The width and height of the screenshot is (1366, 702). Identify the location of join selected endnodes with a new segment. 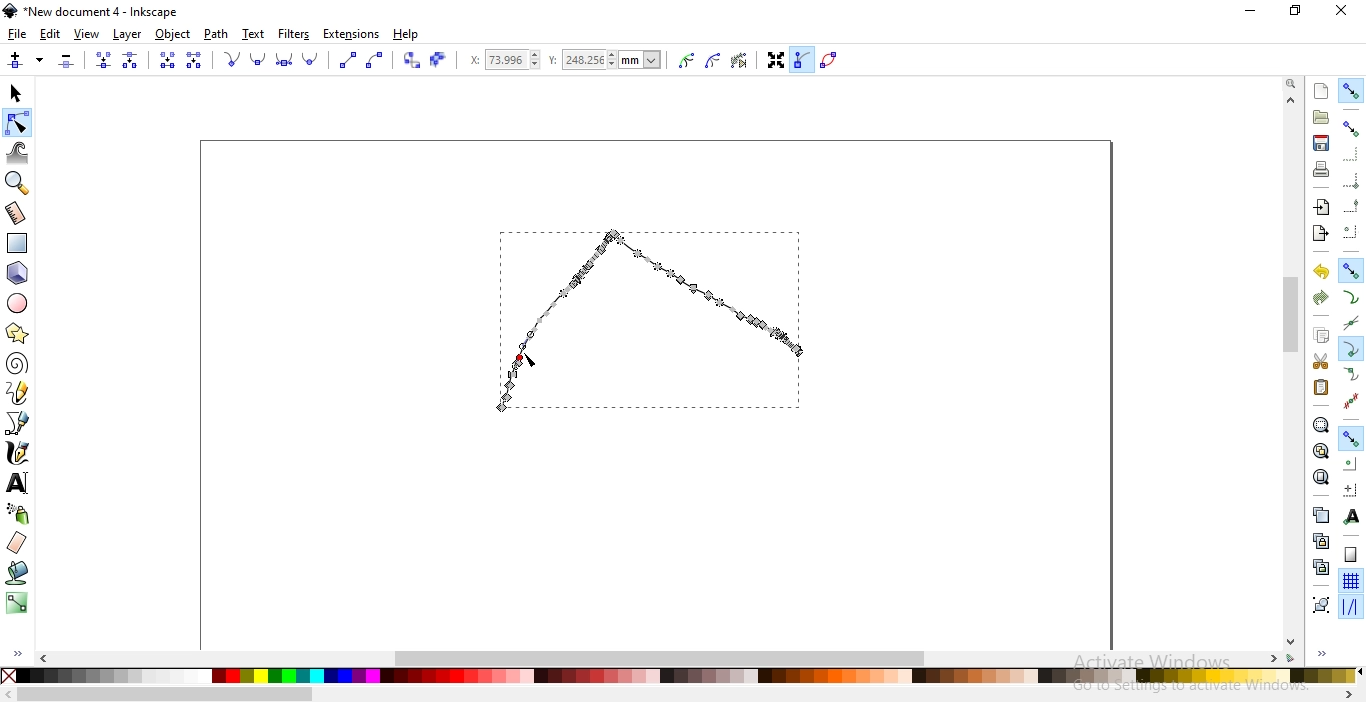
(166, 60).